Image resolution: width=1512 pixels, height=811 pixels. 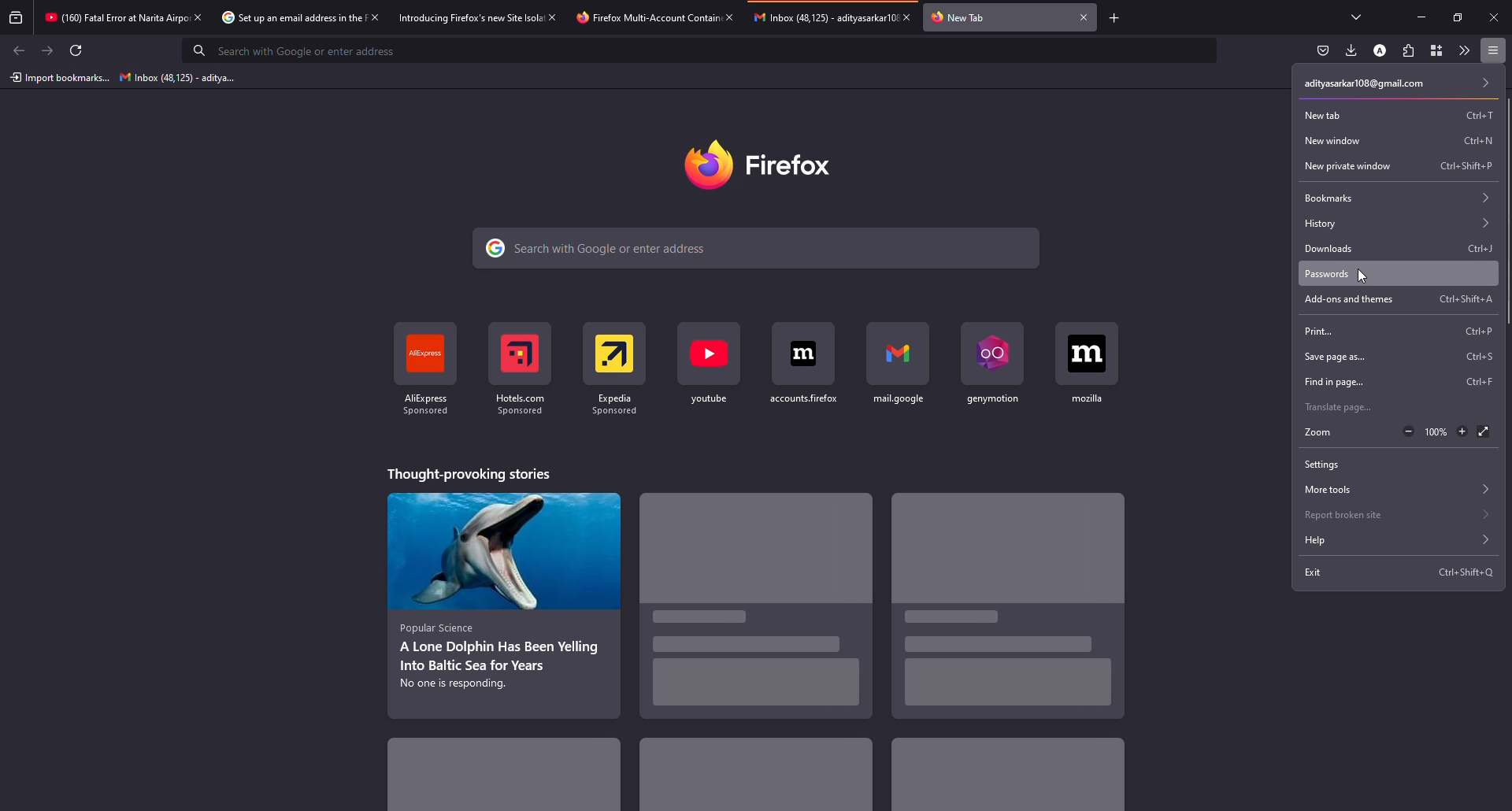 I want to click on close, so click(x=373, y=17).